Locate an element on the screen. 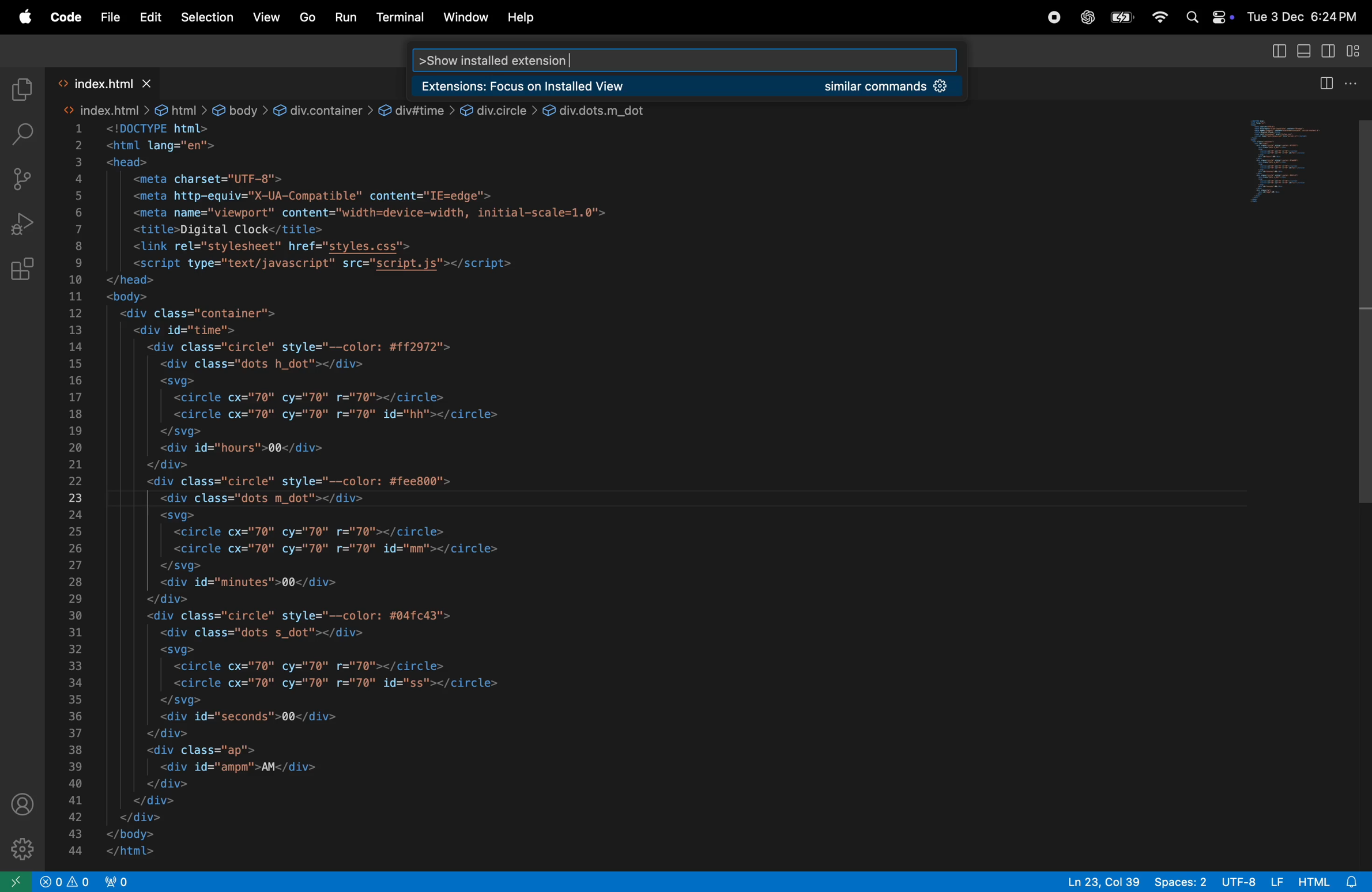 The height and width of the screenshot is (892, 1372). html is located at coordinates (181, 109).